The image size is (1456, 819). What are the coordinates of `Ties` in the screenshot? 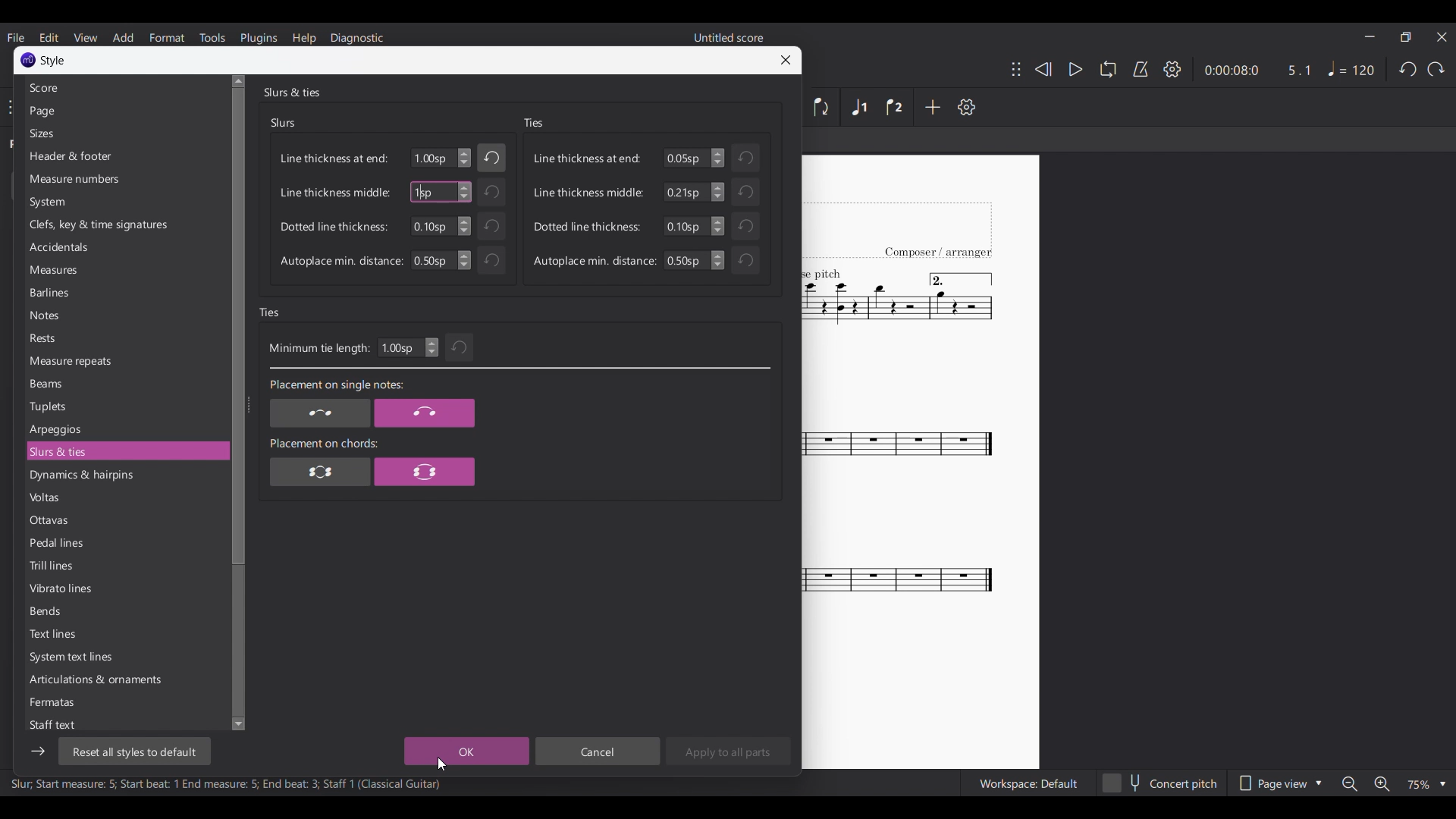 It's located at (270, 312).